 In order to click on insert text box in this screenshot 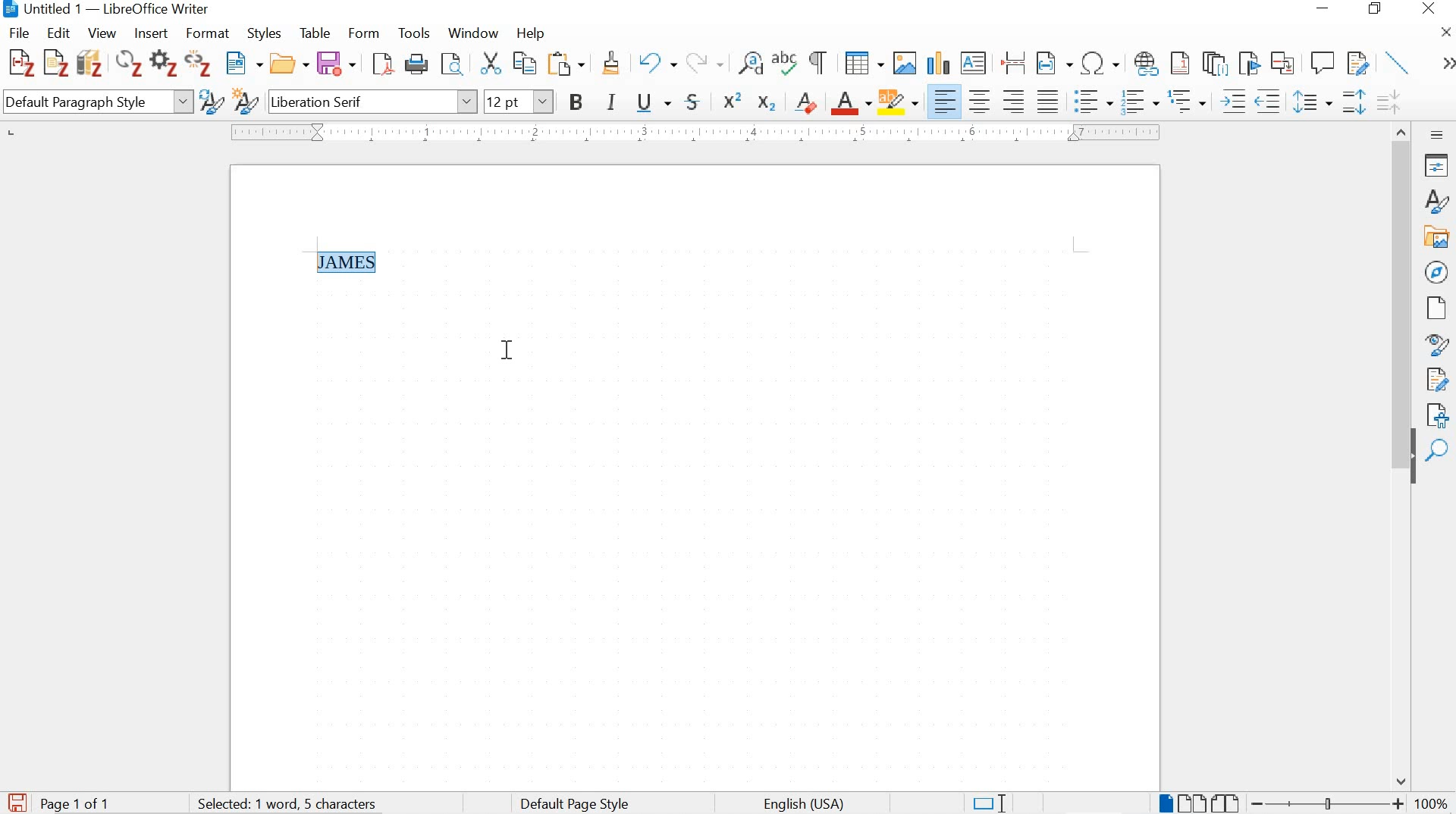, I will do `click(974, 64)`.